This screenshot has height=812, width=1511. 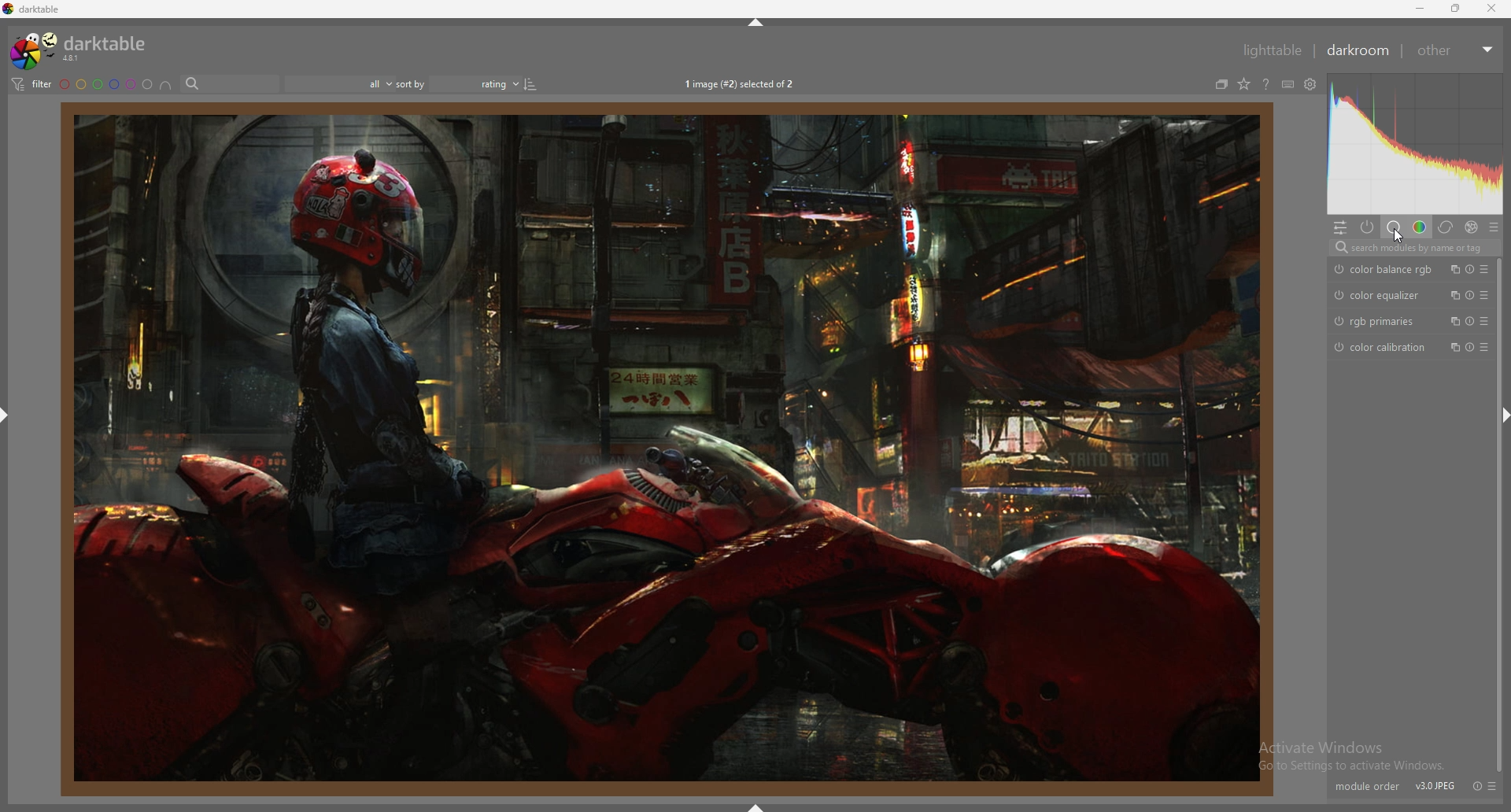 I want to click on module order , so click(x=1364, y=787).